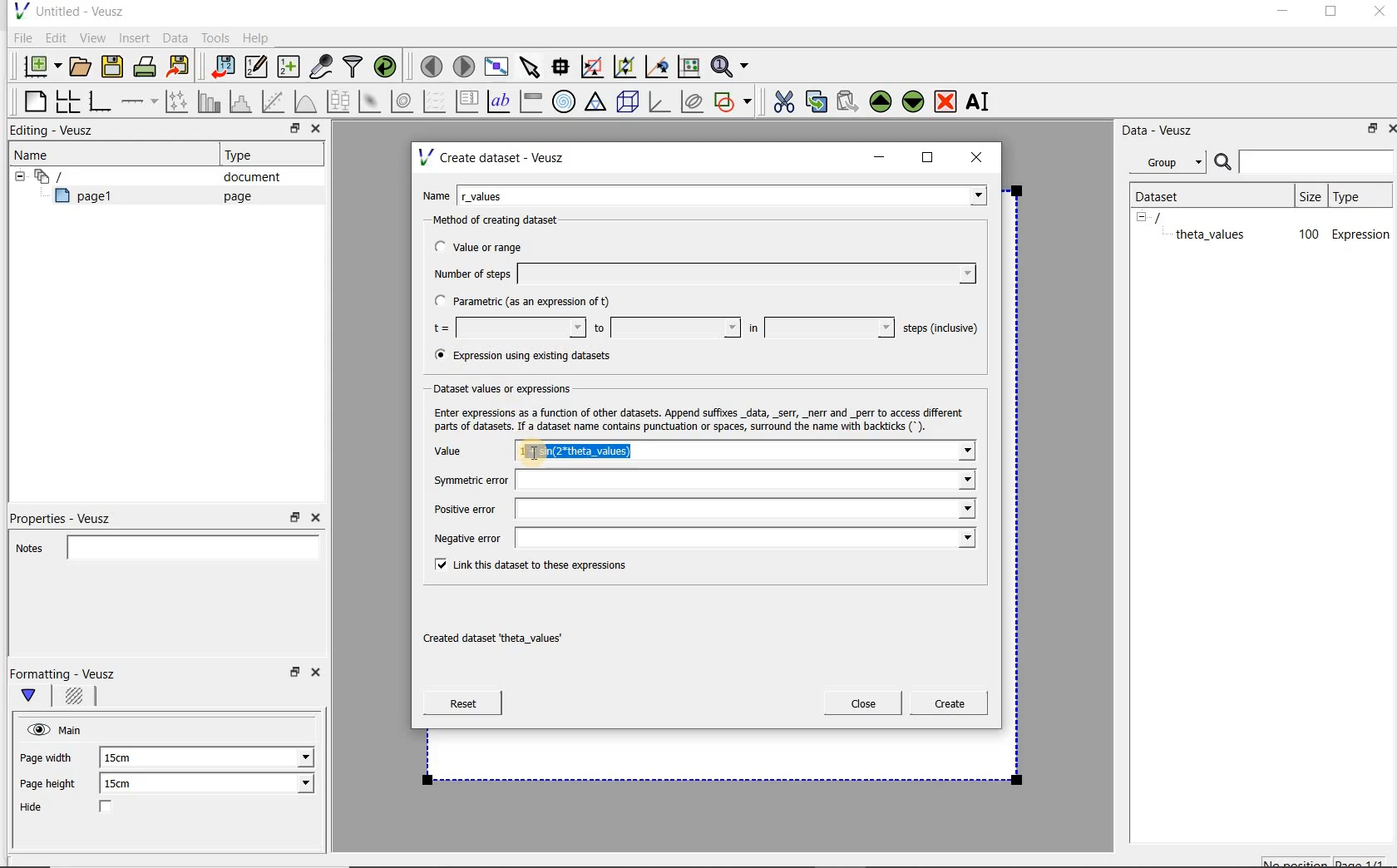 The width and height of the screenshot is (1397, 868). What do you see at coordinates (1368, 131) in the screenshot?
I see `restore down` at bounding box center [1368, 131].